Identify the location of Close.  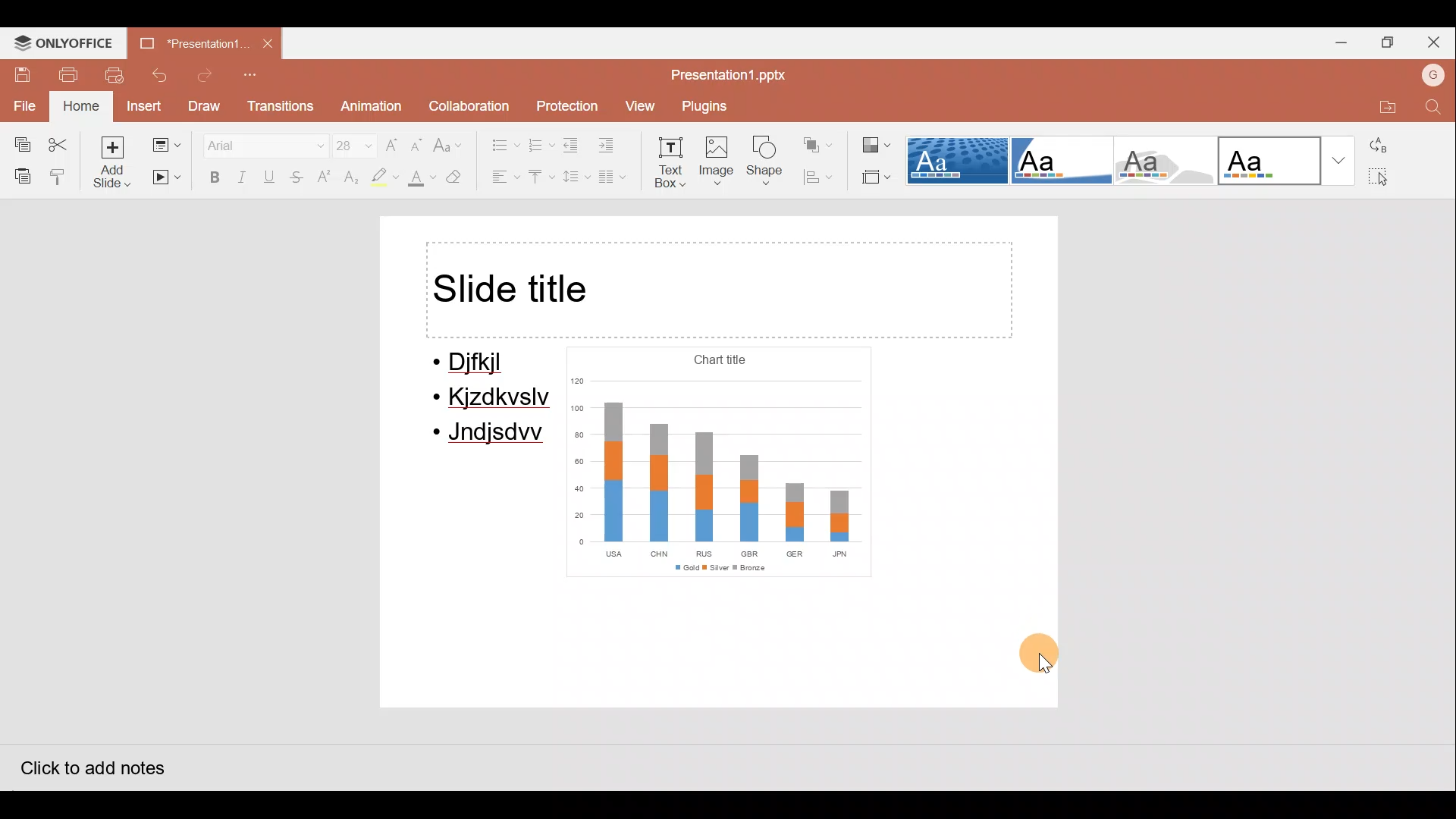
(1433, 39).